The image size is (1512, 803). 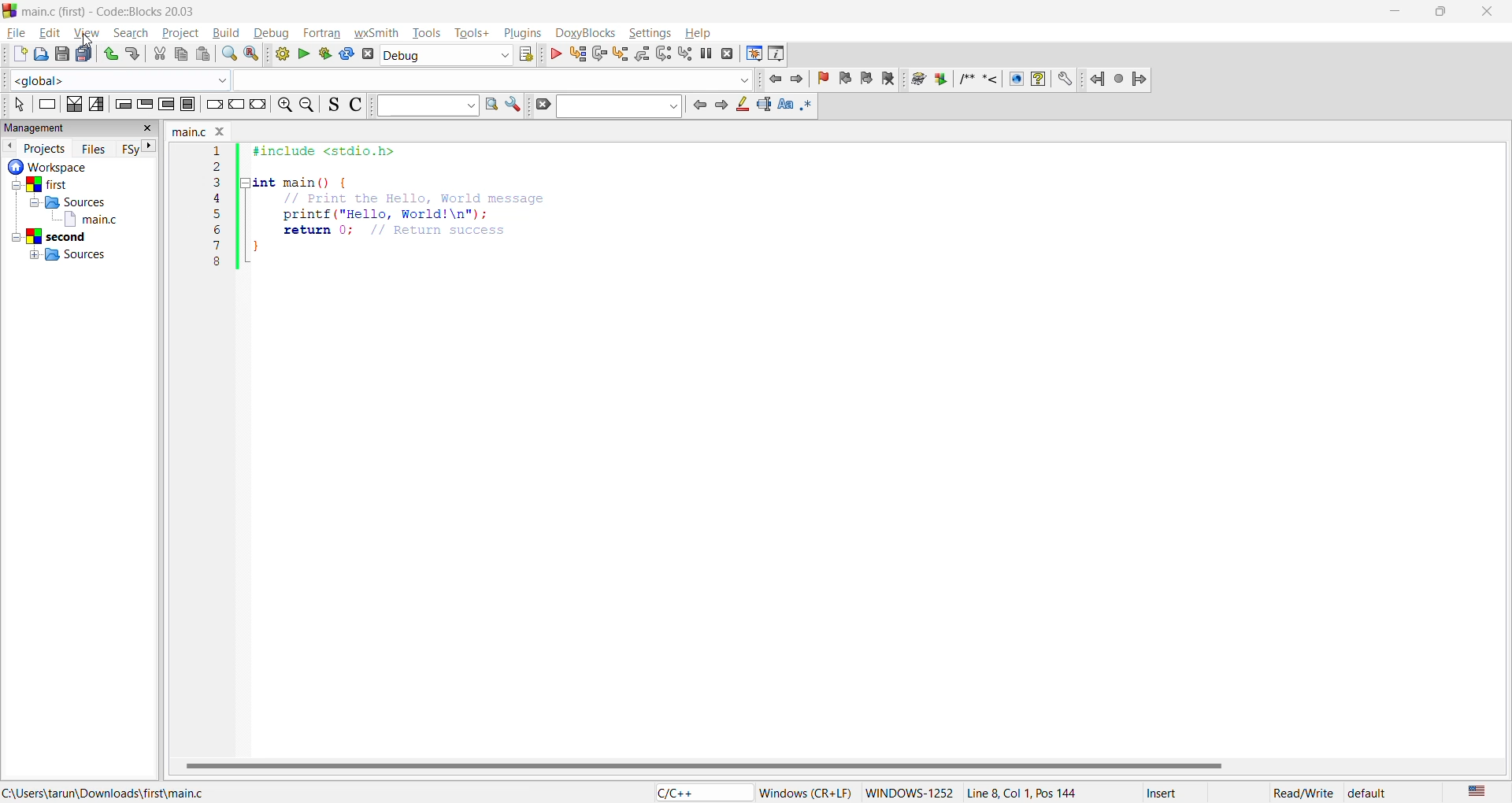 What do you see at coordinates (1369, 793) in the screenshot?
I see `default` at bounding box center [1369, 793].